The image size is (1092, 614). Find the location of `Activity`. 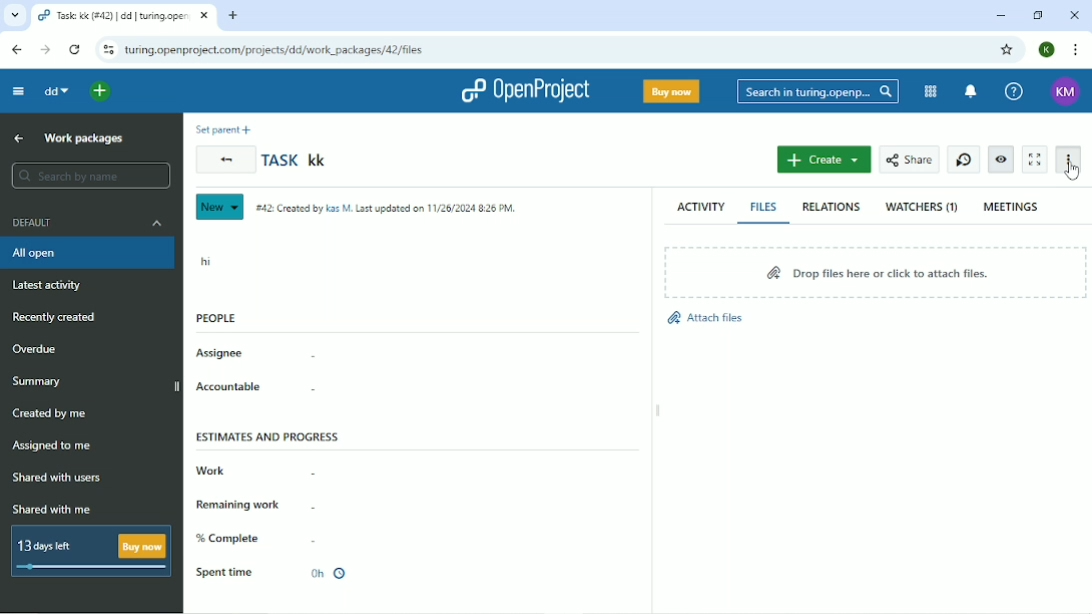

Activity is located at coordinates (702, 208).